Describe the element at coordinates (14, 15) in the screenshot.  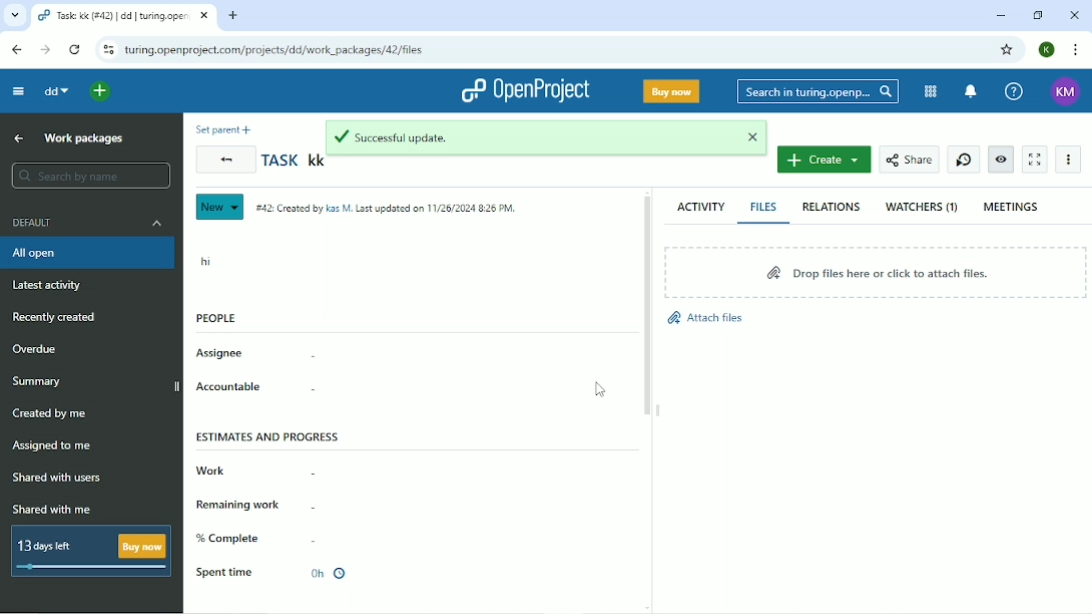
I see `Search tabs` at that location.